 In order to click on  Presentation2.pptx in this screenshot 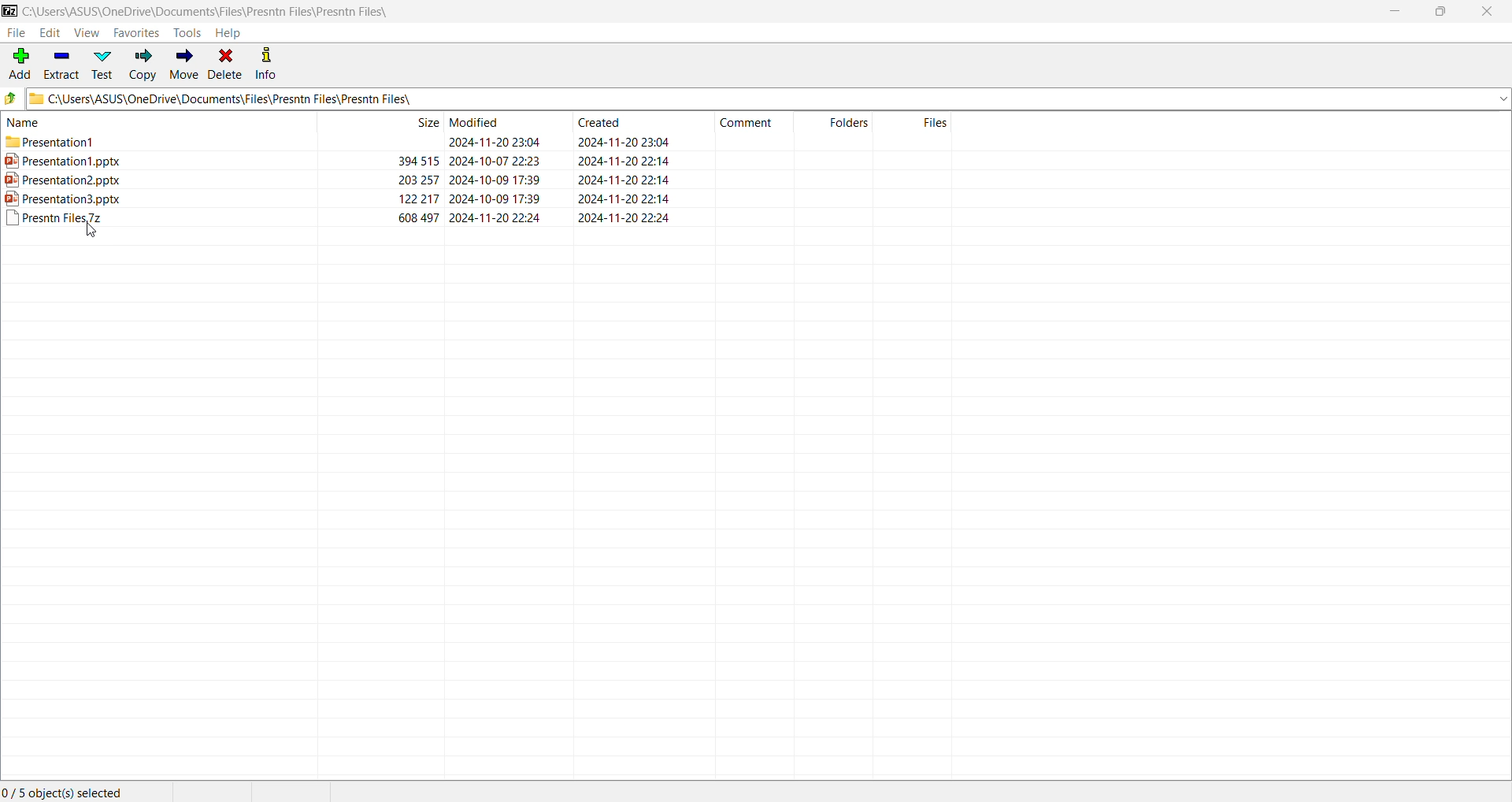, I will do `click(74, 180)`.